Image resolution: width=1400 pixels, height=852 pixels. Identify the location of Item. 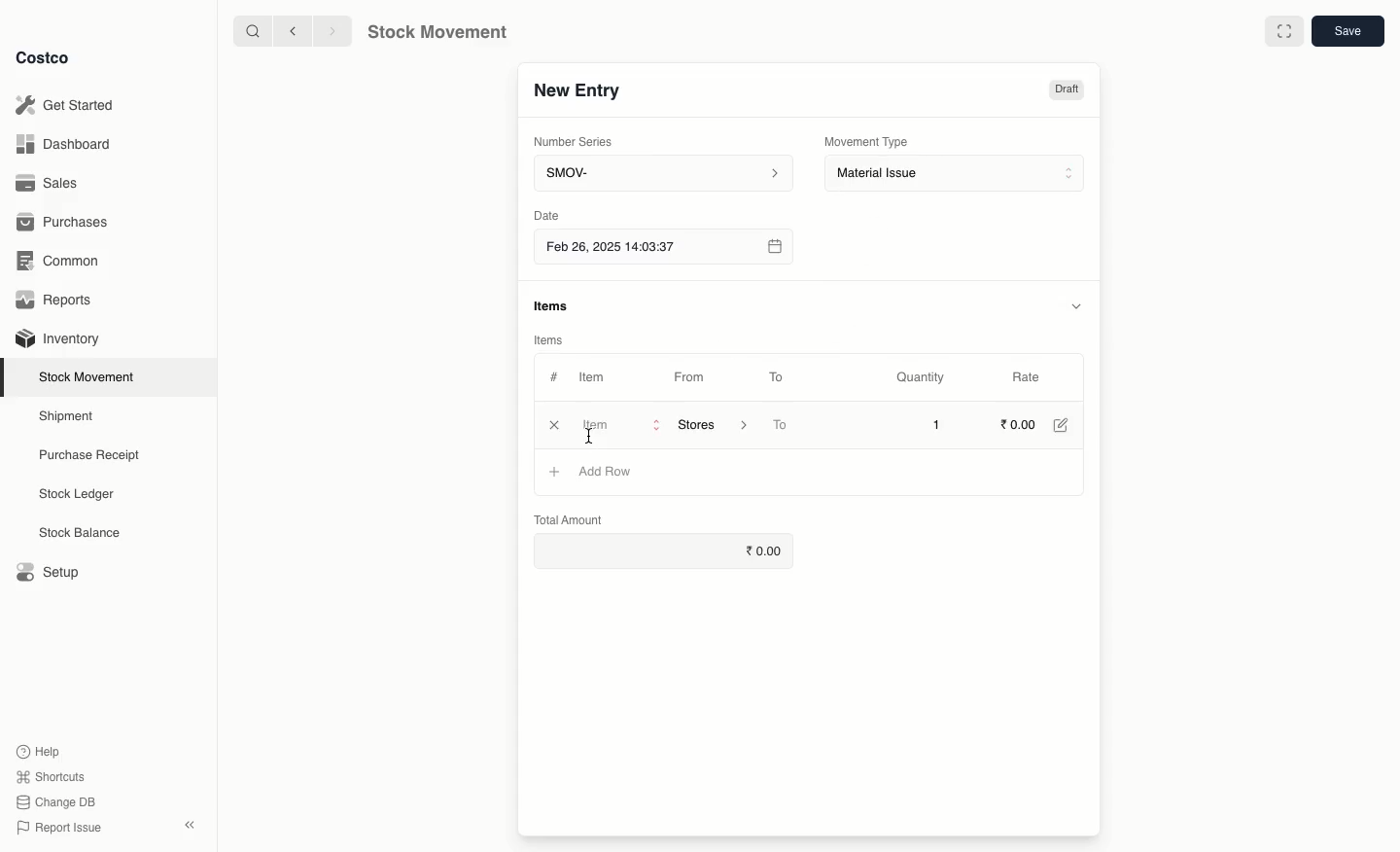
(617, 424).